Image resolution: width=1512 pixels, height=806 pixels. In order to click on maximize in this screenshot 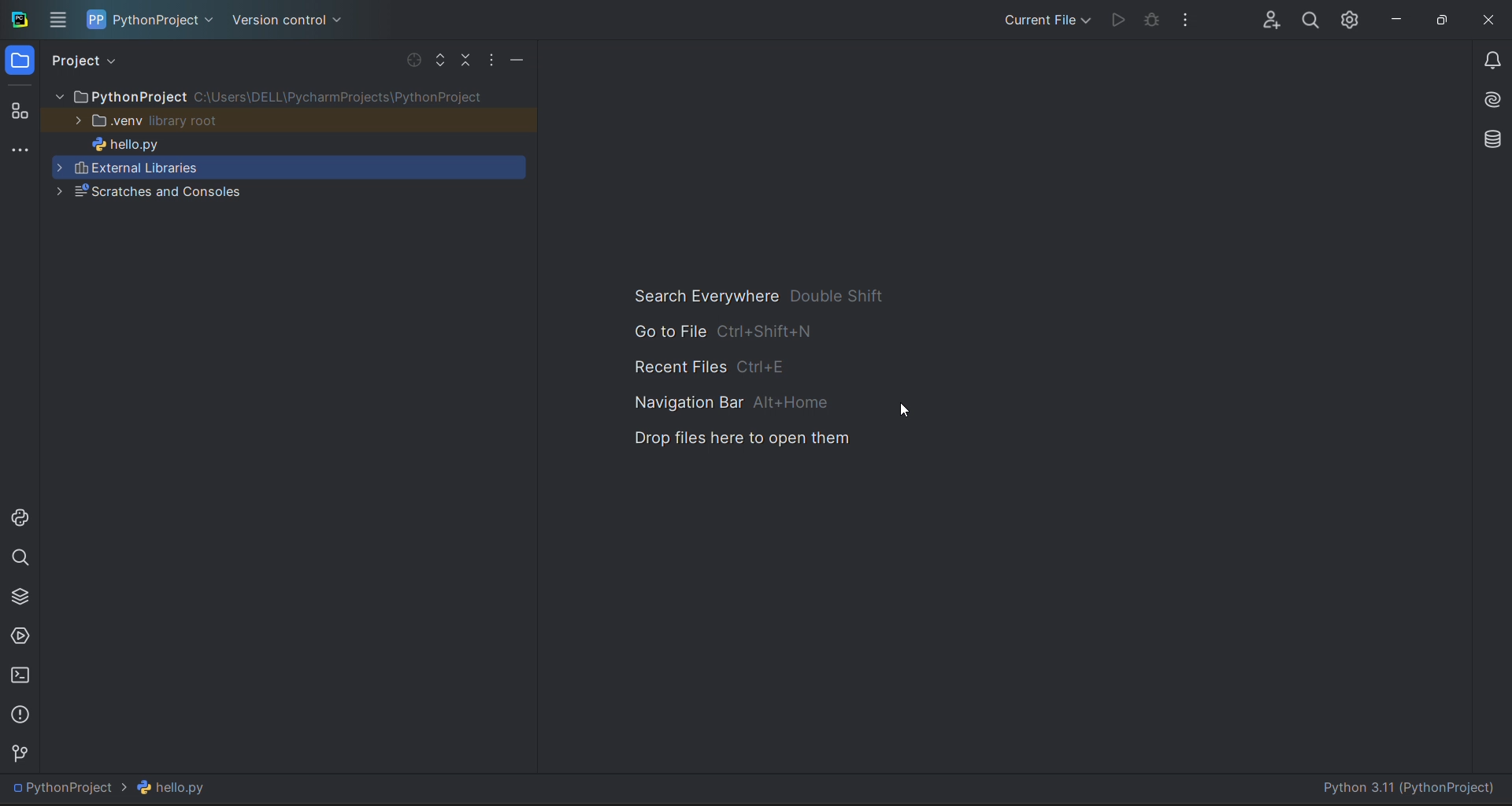, I will do `click(1441, 17)`.